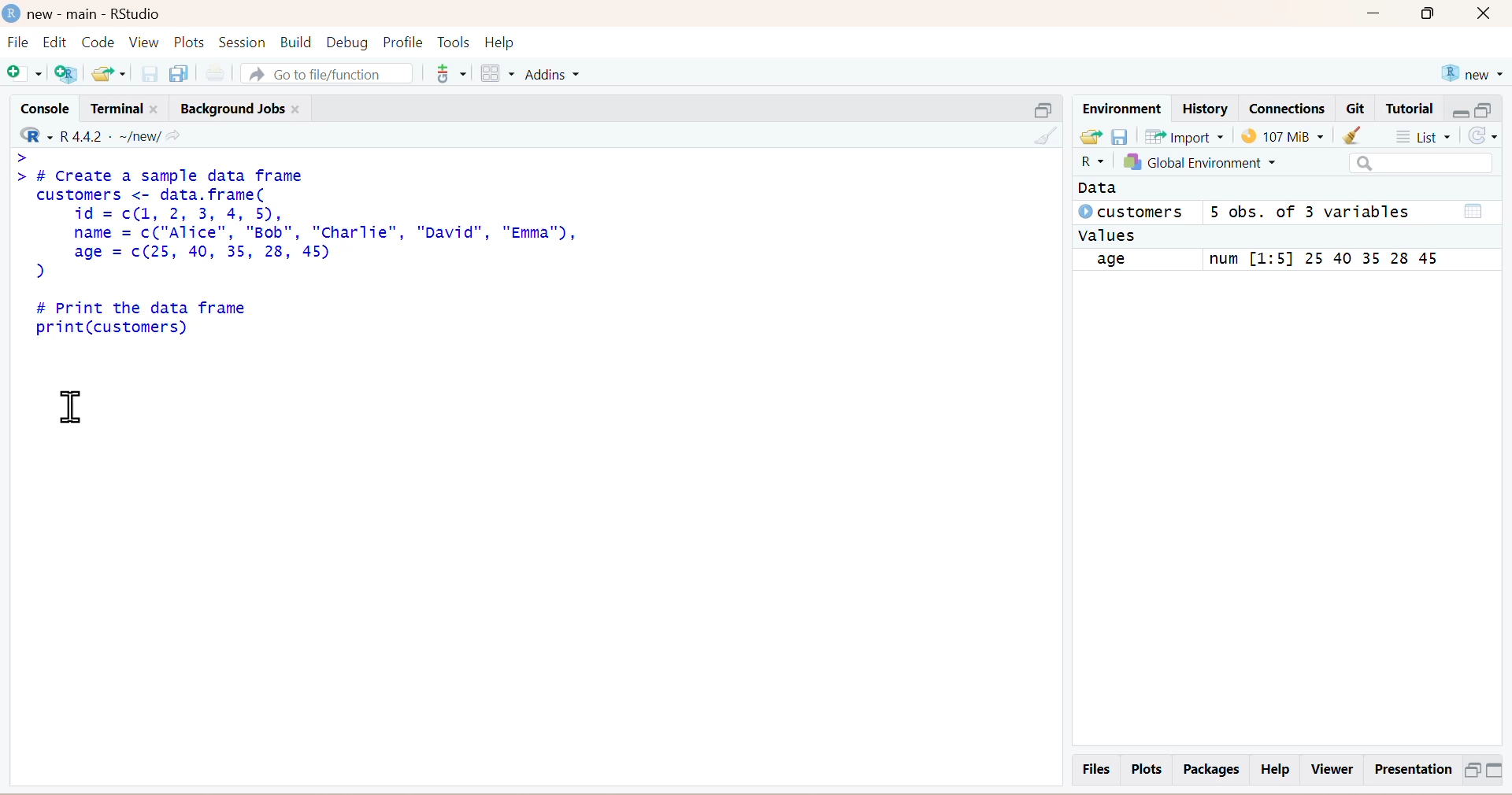  Describe the element at coordinates (450, 71) in the screenshot. I see `Version Control` at that location.